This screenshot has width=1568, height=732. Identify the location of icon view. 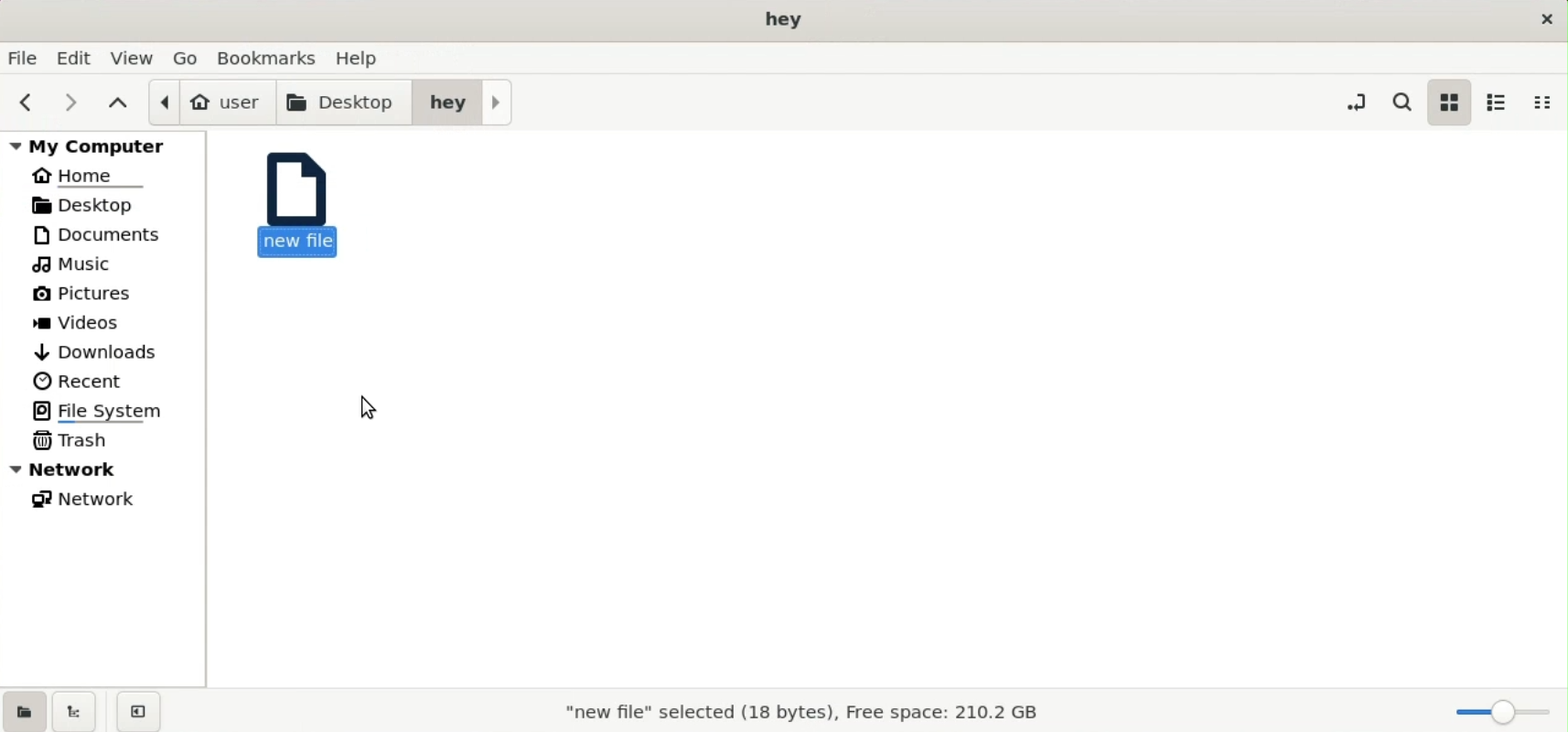
(1448, 102).